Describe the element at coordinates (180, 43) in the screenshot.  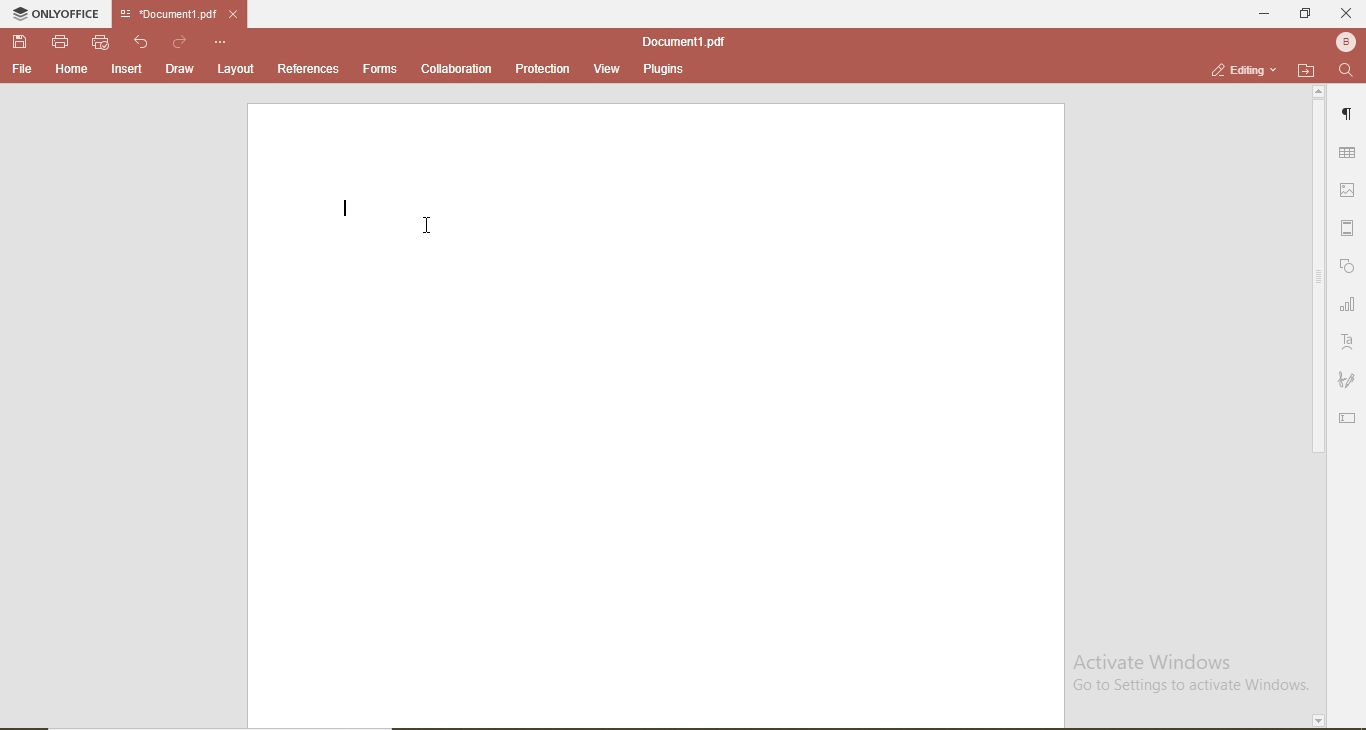
I see `redo` at that location.